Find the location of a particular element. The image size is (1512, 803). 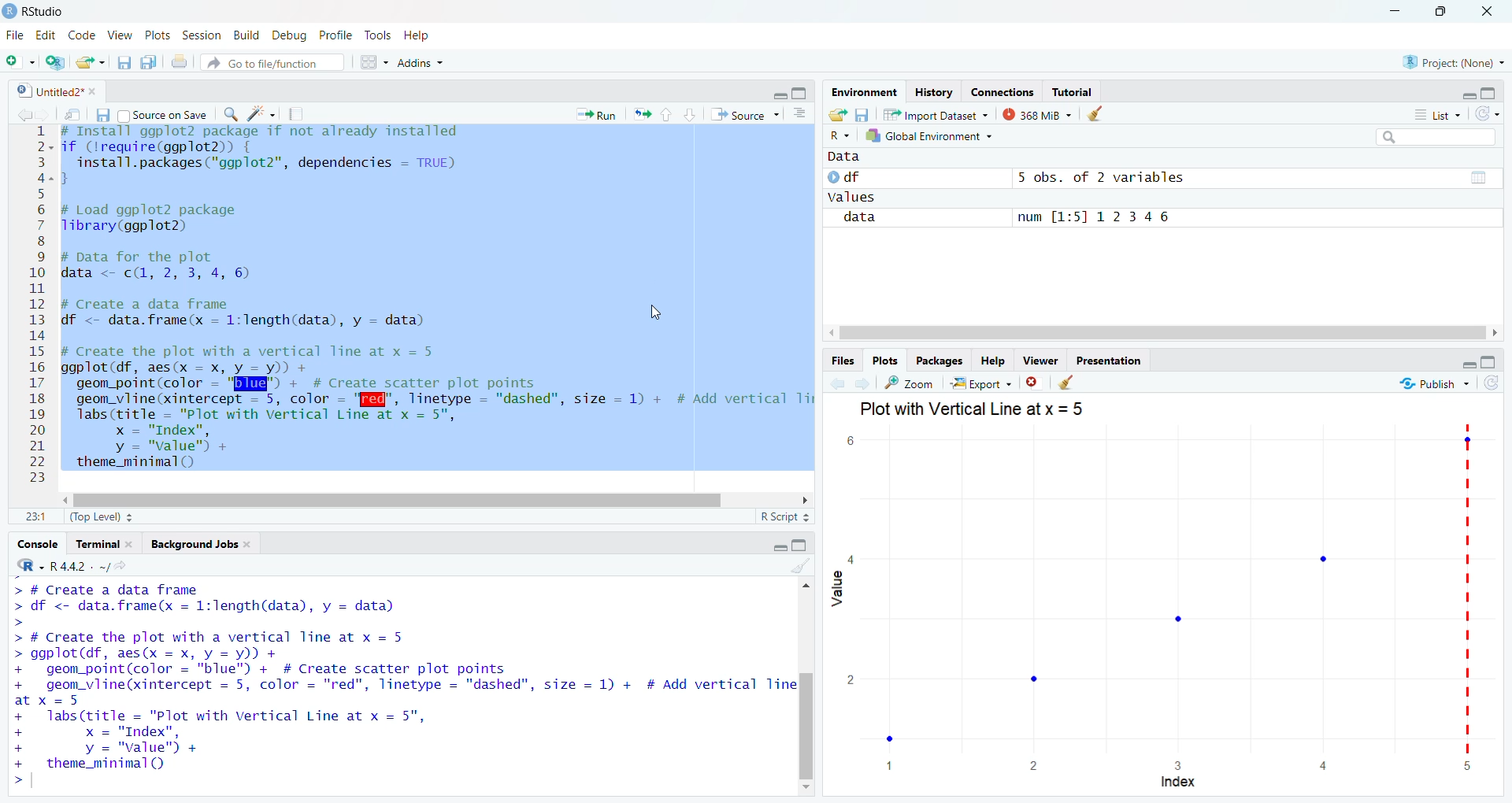

maximise is located at coordinates (1492, 362).